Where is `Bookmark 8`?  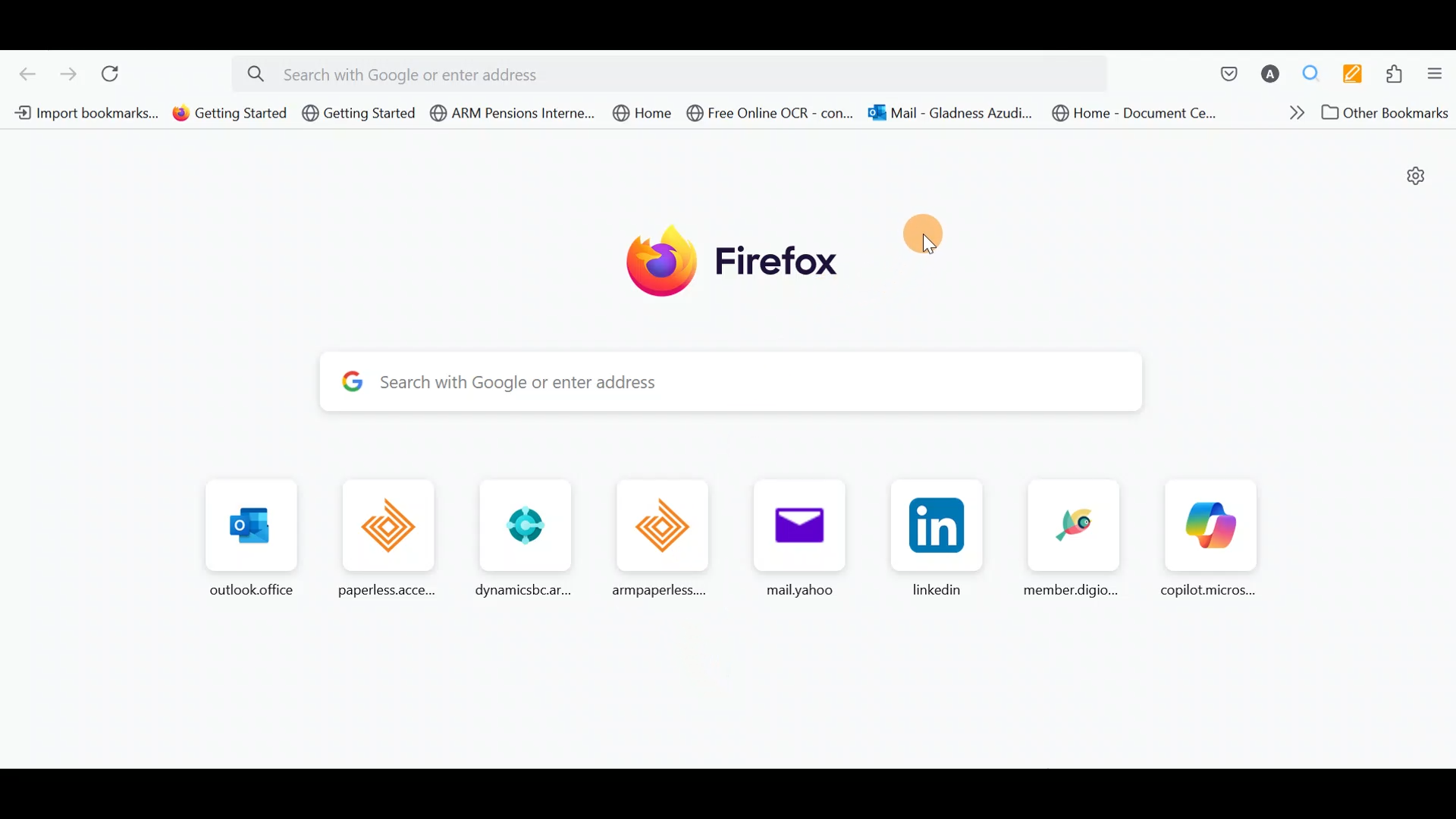 Bookmark 8 is located at coordinates (1131, 112).